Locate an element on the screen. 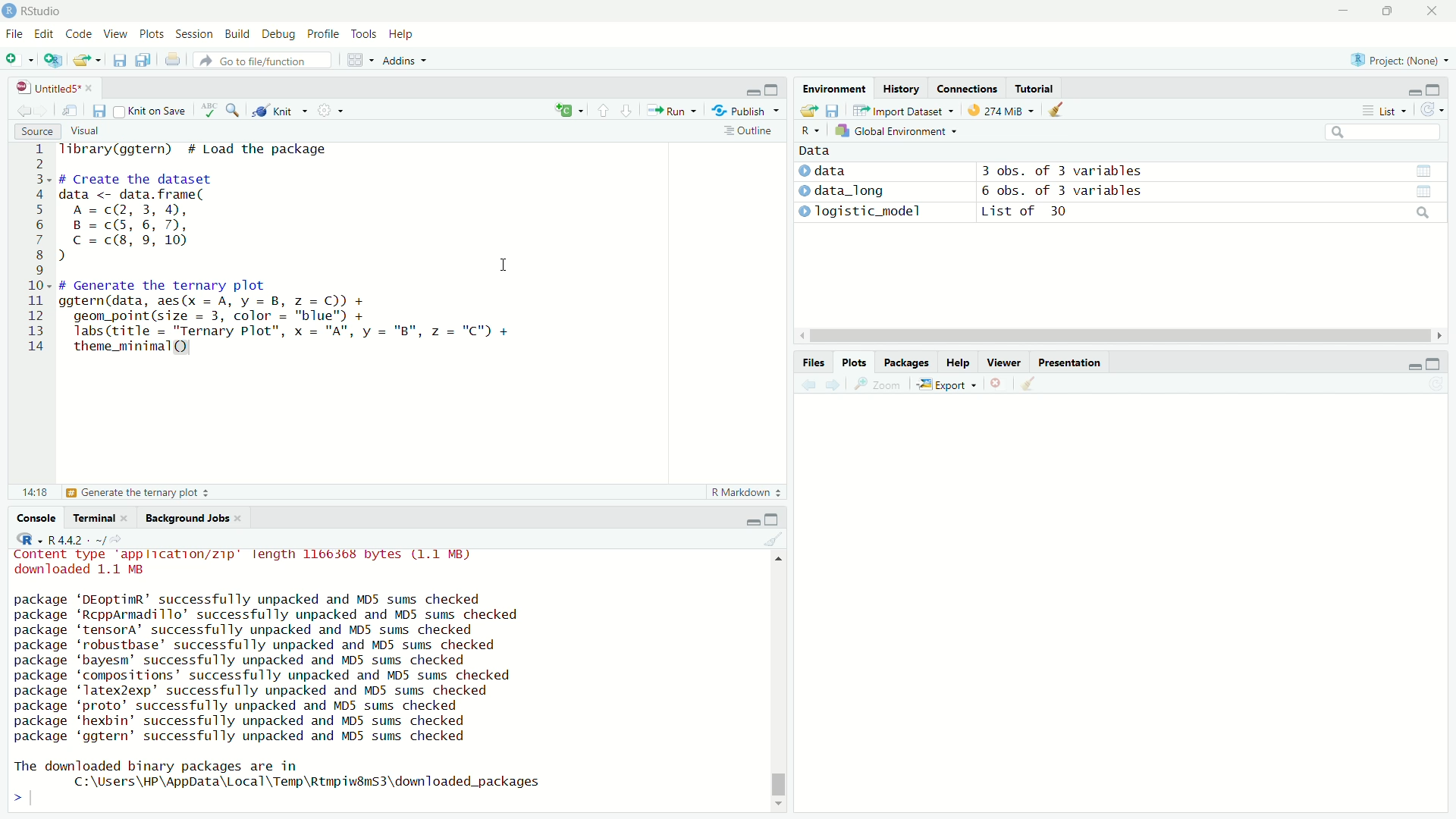  settings is located at coordinates (336, 113).